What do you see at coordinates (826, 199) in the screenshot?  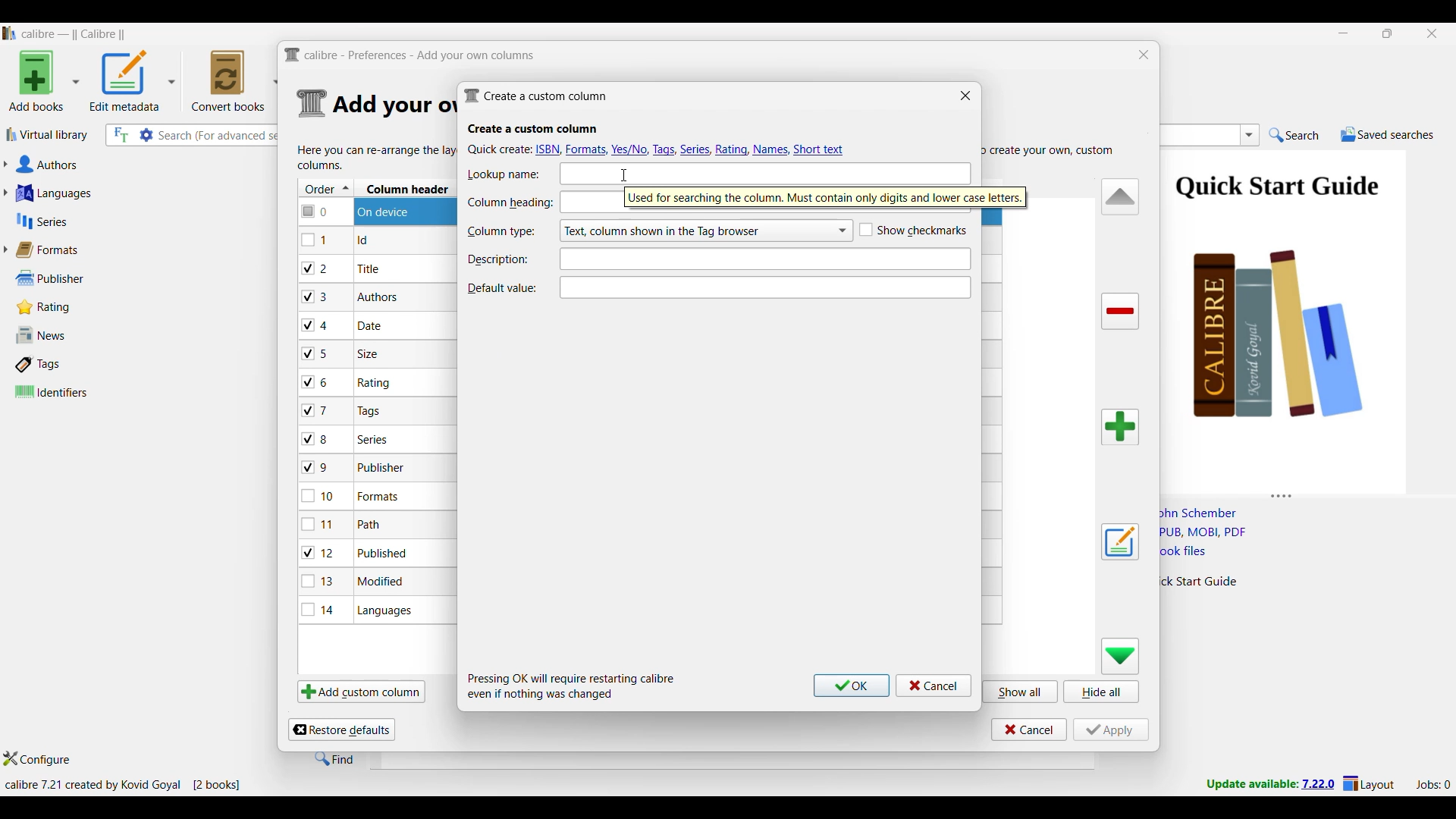 I see `Description of current selection by cursor` at bounding box center [826, 199].